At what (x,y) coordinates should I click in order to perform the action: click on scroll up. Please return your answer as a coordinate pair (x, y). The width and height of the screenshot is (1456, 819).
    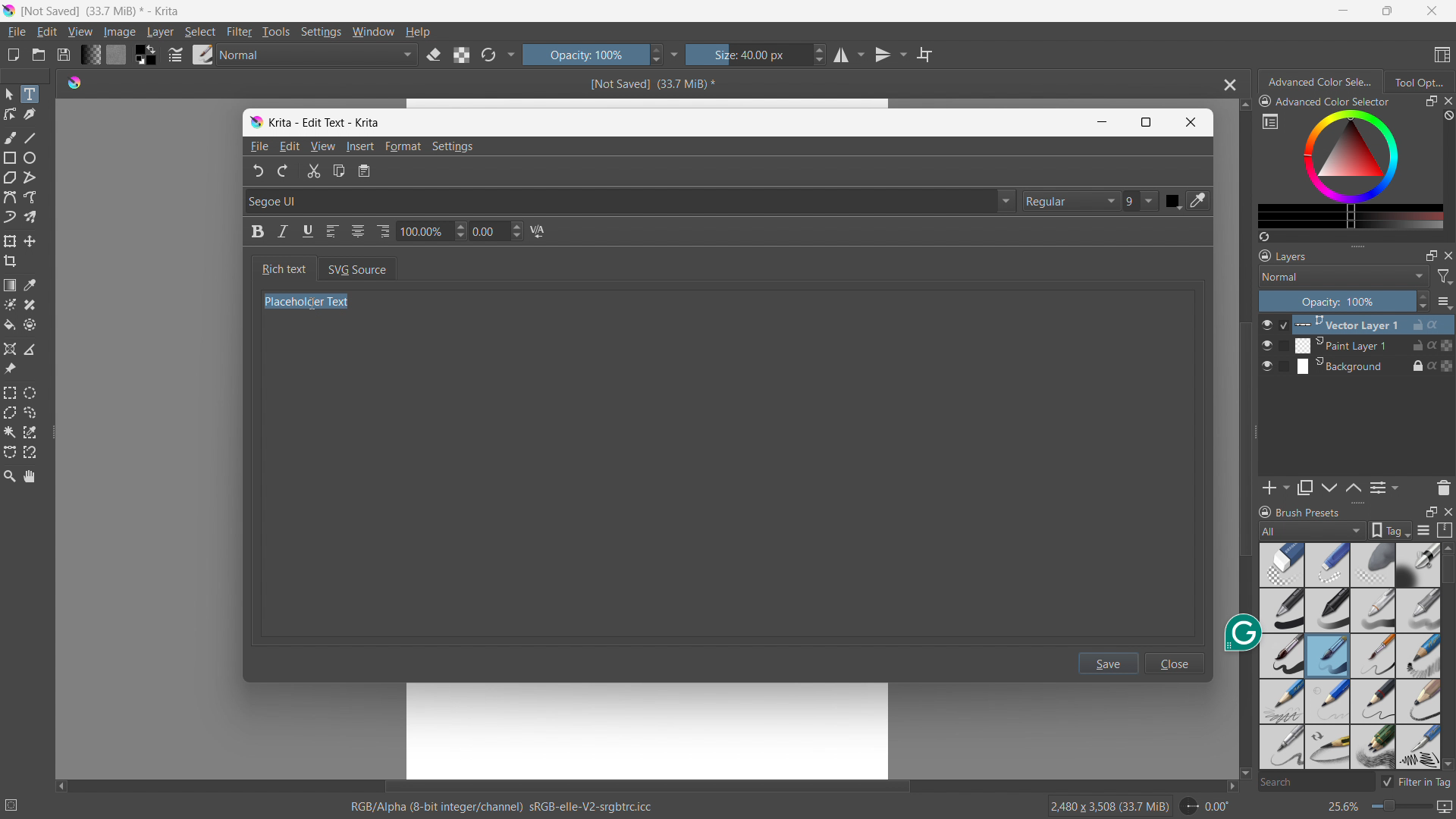
    Looking at the image, I should click on (1244, 105).